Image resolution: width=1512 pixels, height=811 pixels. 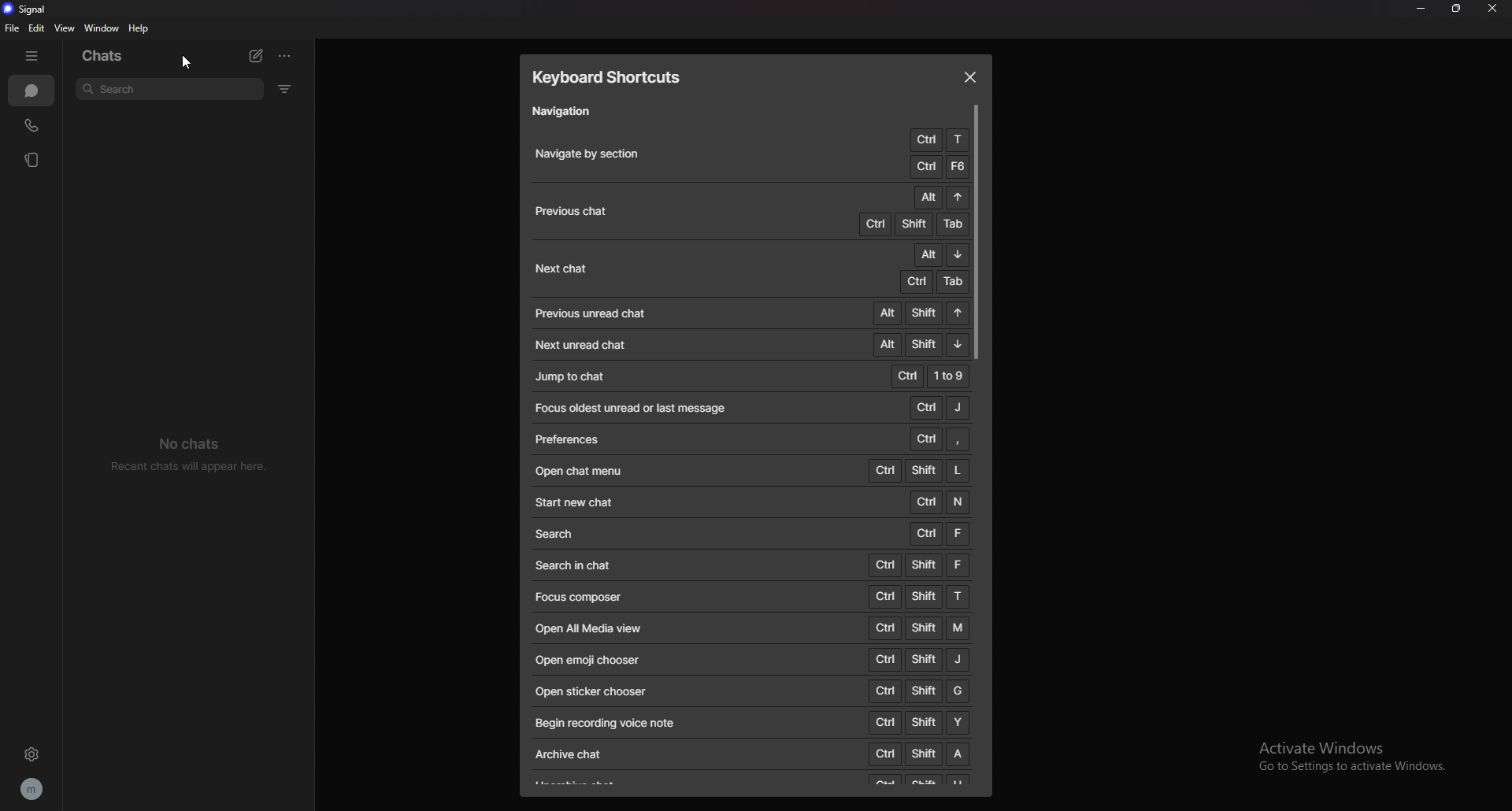 I want to click on Recent chats will appear here., so click(x=196, y=468).